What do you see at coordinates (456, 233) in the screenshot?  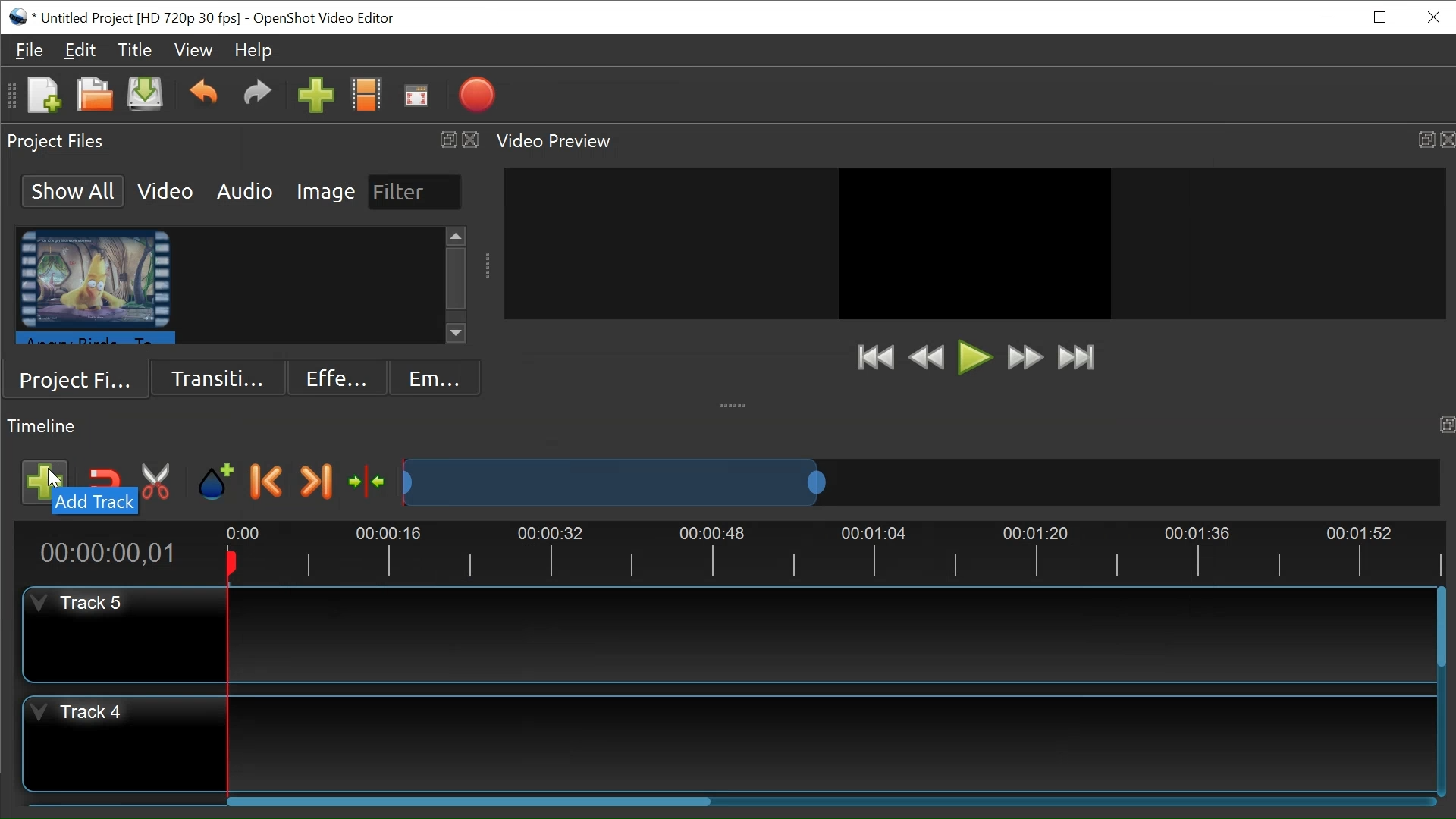 I see `Scroll up` at bounding box center [456, 233].